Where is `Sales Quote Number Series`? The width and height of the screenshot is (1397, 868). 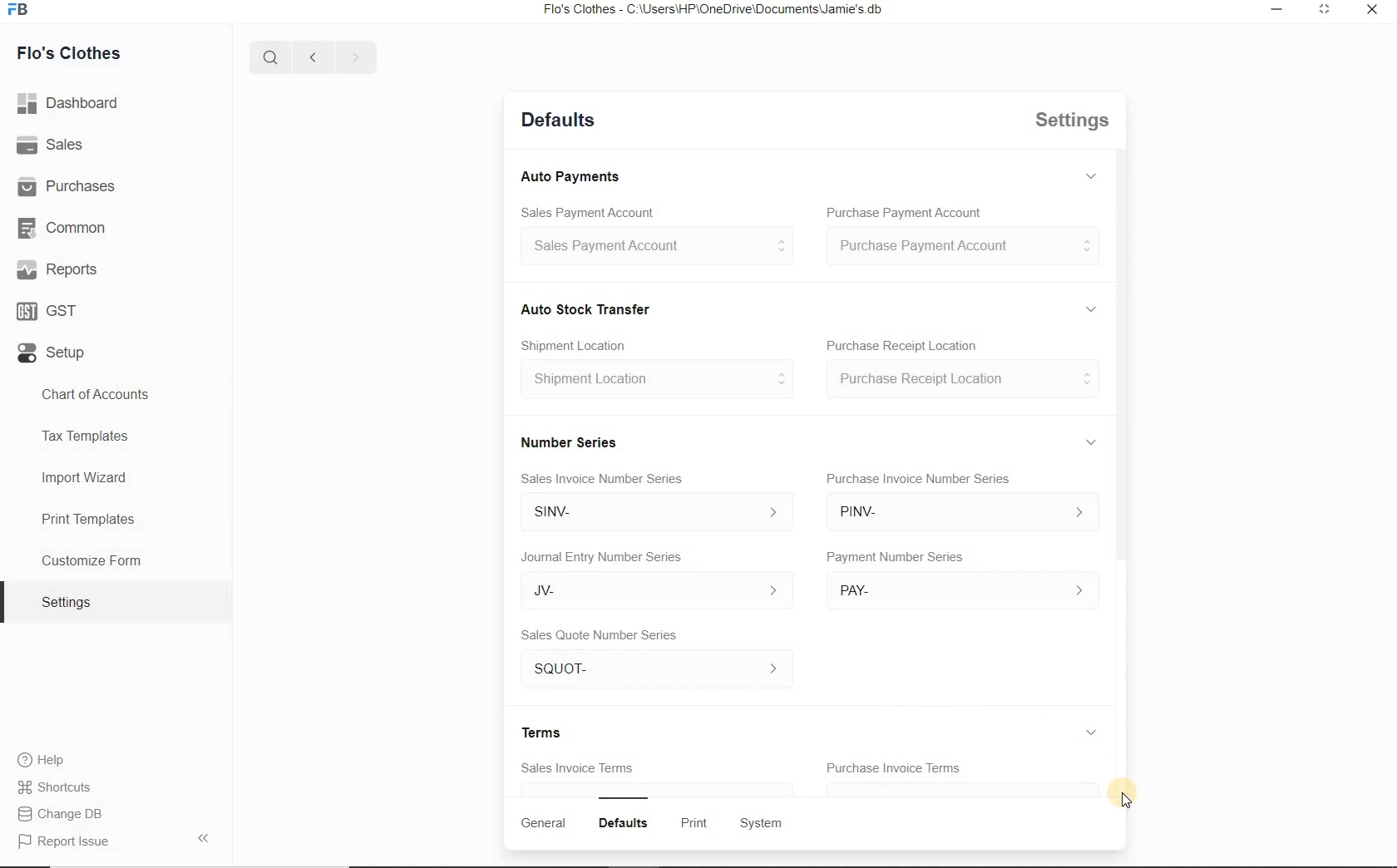
Sales Quote Number Series is located at coordinates (599, 634).